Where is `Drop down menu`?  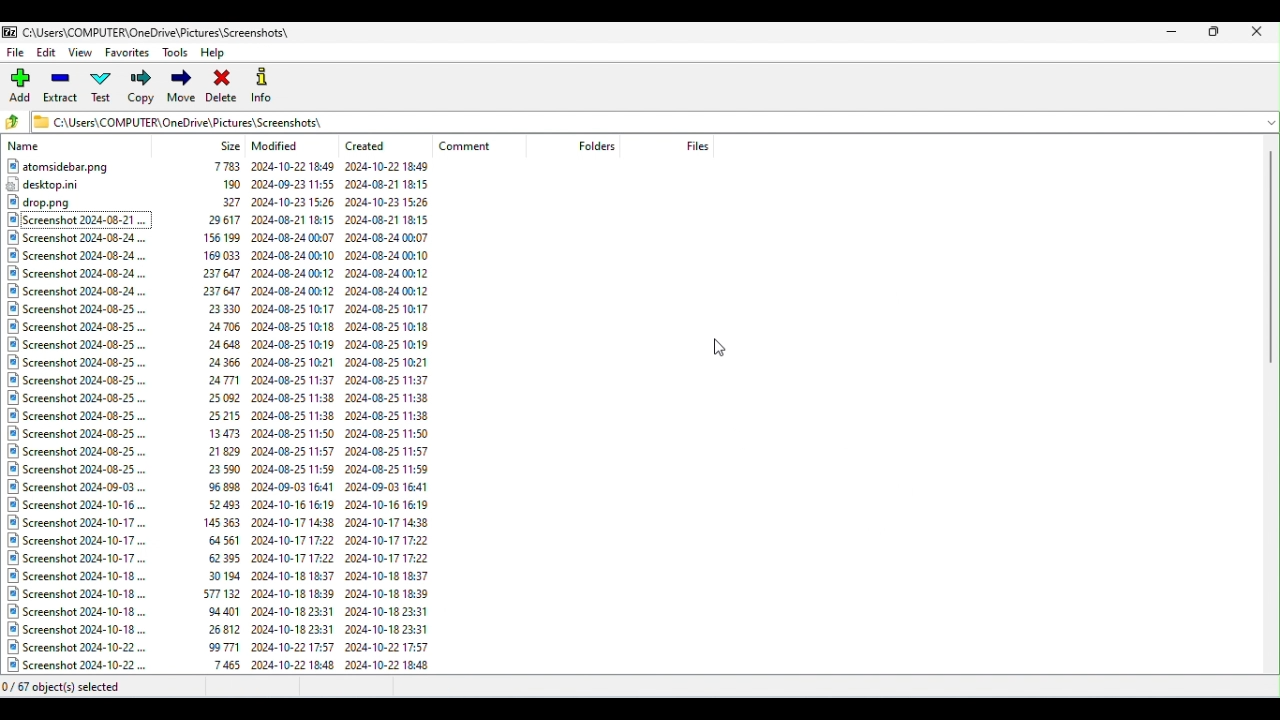
Drop down menu is located at coordinates (1269, 121).